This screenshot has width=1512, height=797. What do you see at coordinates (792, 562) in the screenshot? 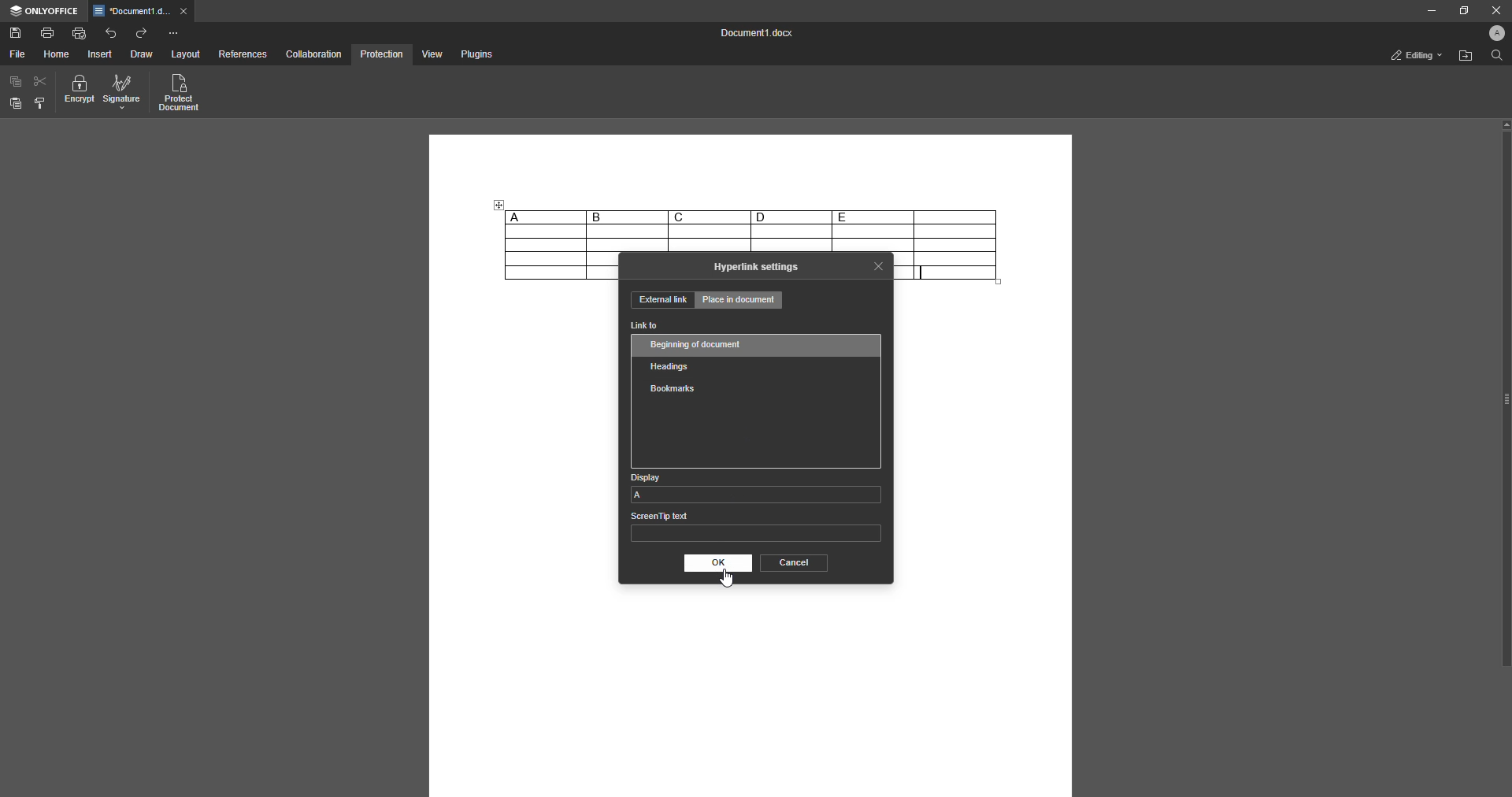
I see `Cancel` at bounding box center [792, 562].